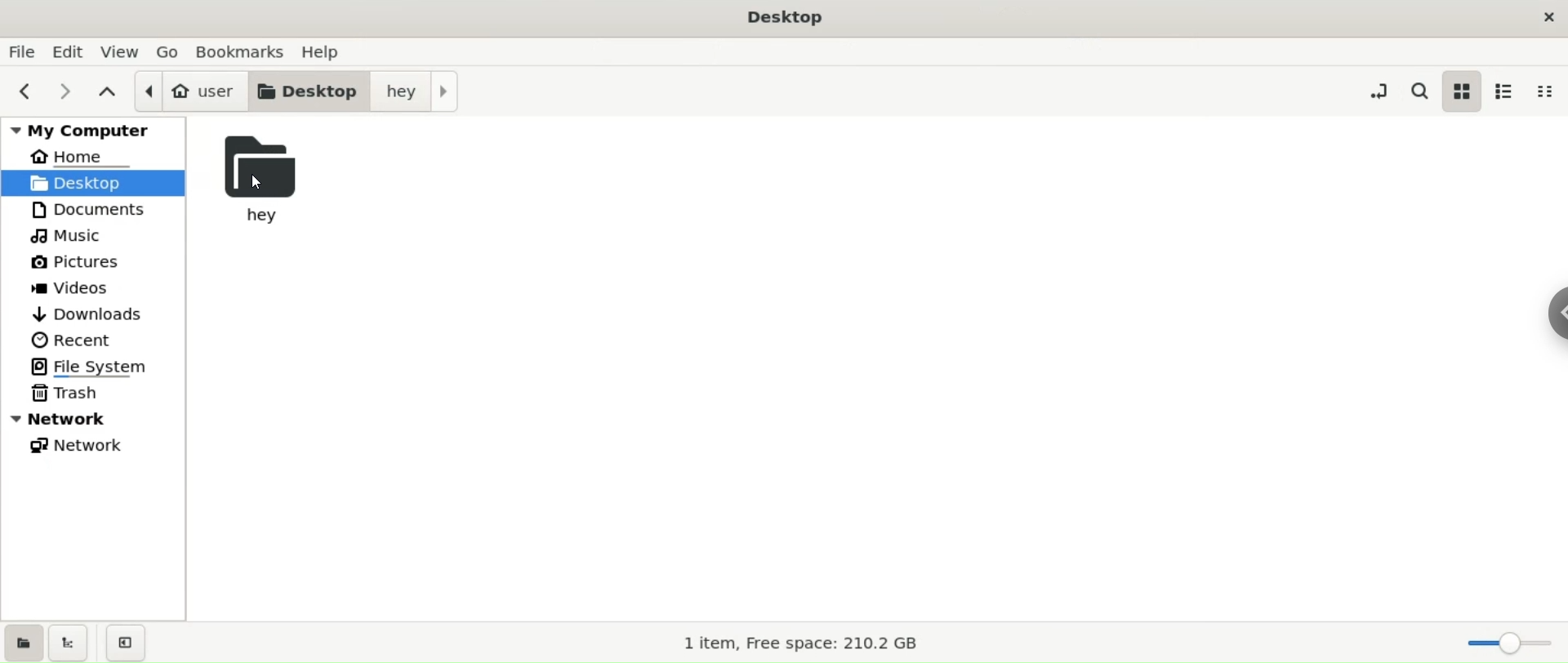 The image size is (1568, 663). What do you see at coordinates (266, 180) in the screenshot?
I see `hey` at bounding box center [266, 180].